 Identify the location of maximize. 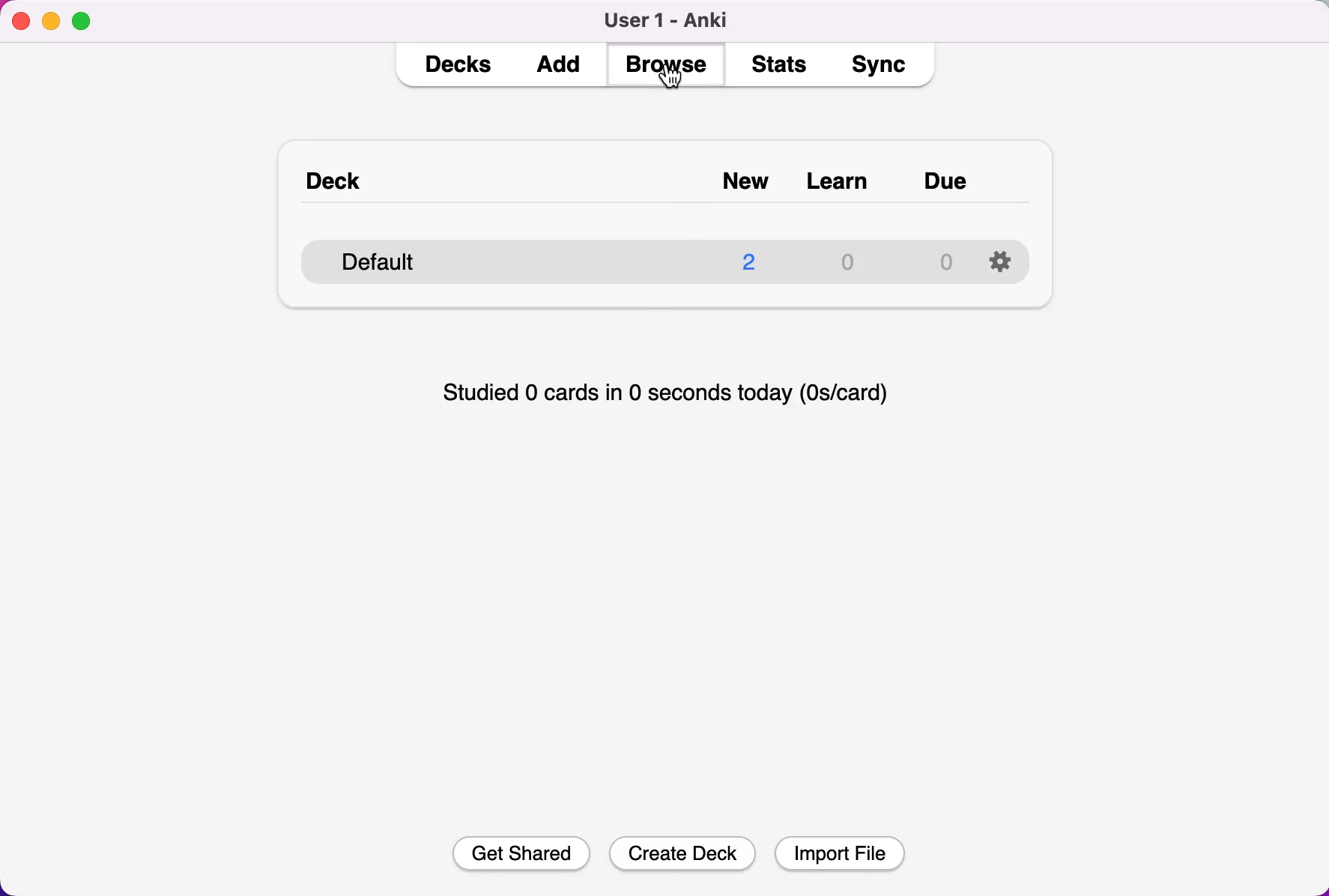
(85, 22).